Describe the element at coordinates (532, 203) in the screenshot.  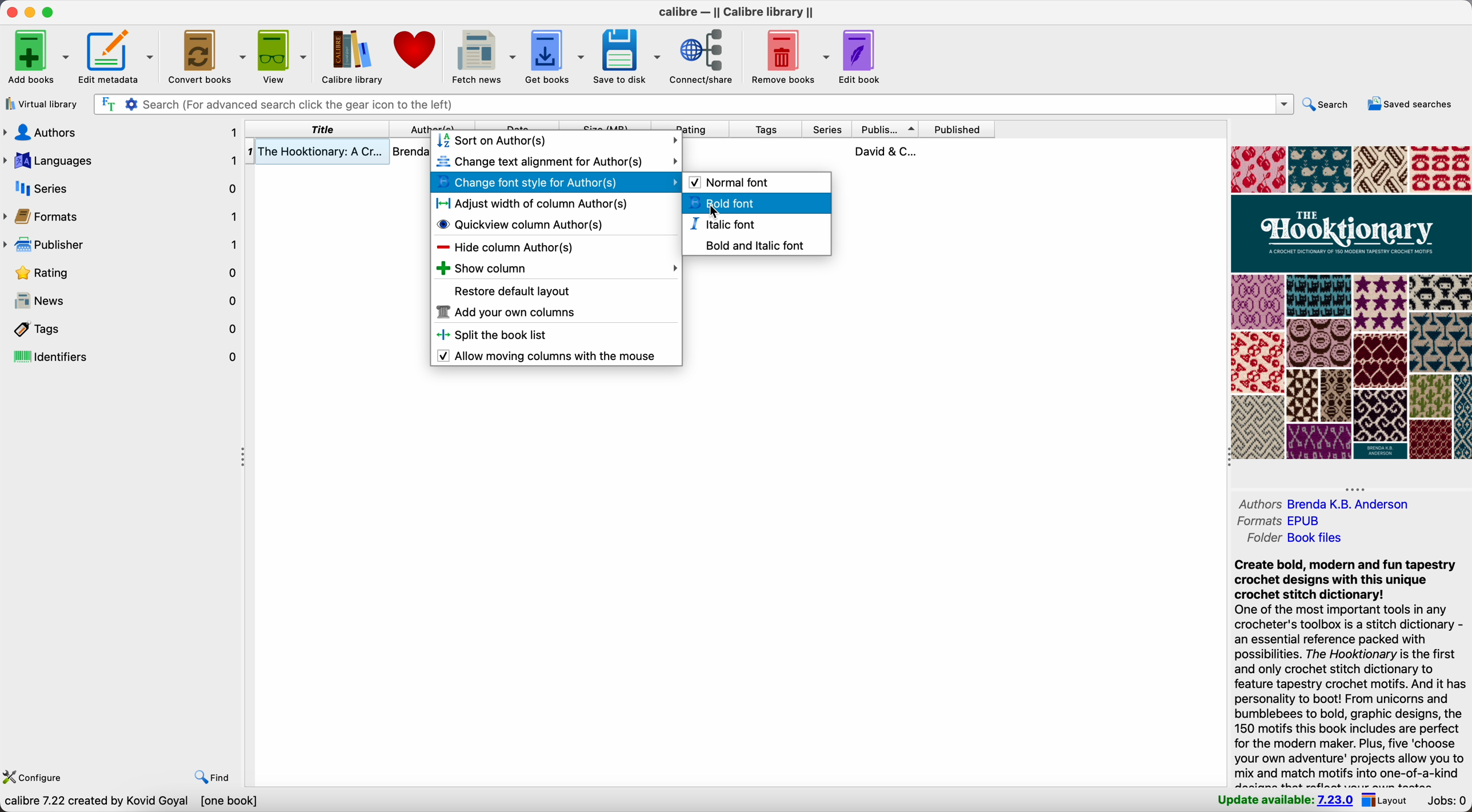
I see `adjust width of column author(s)` at that location.